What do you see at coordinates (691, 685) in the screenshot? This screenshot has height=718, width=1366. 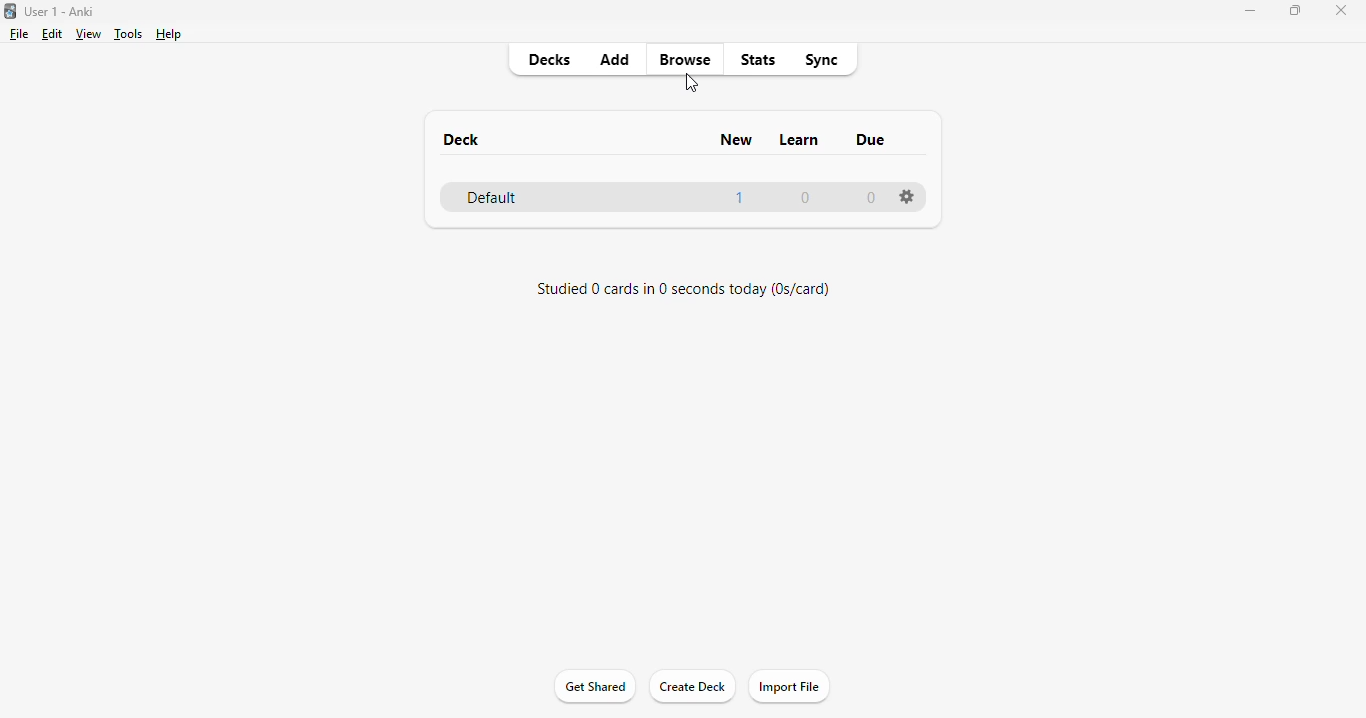 I see `create deck` at bounding box center [691, 685].